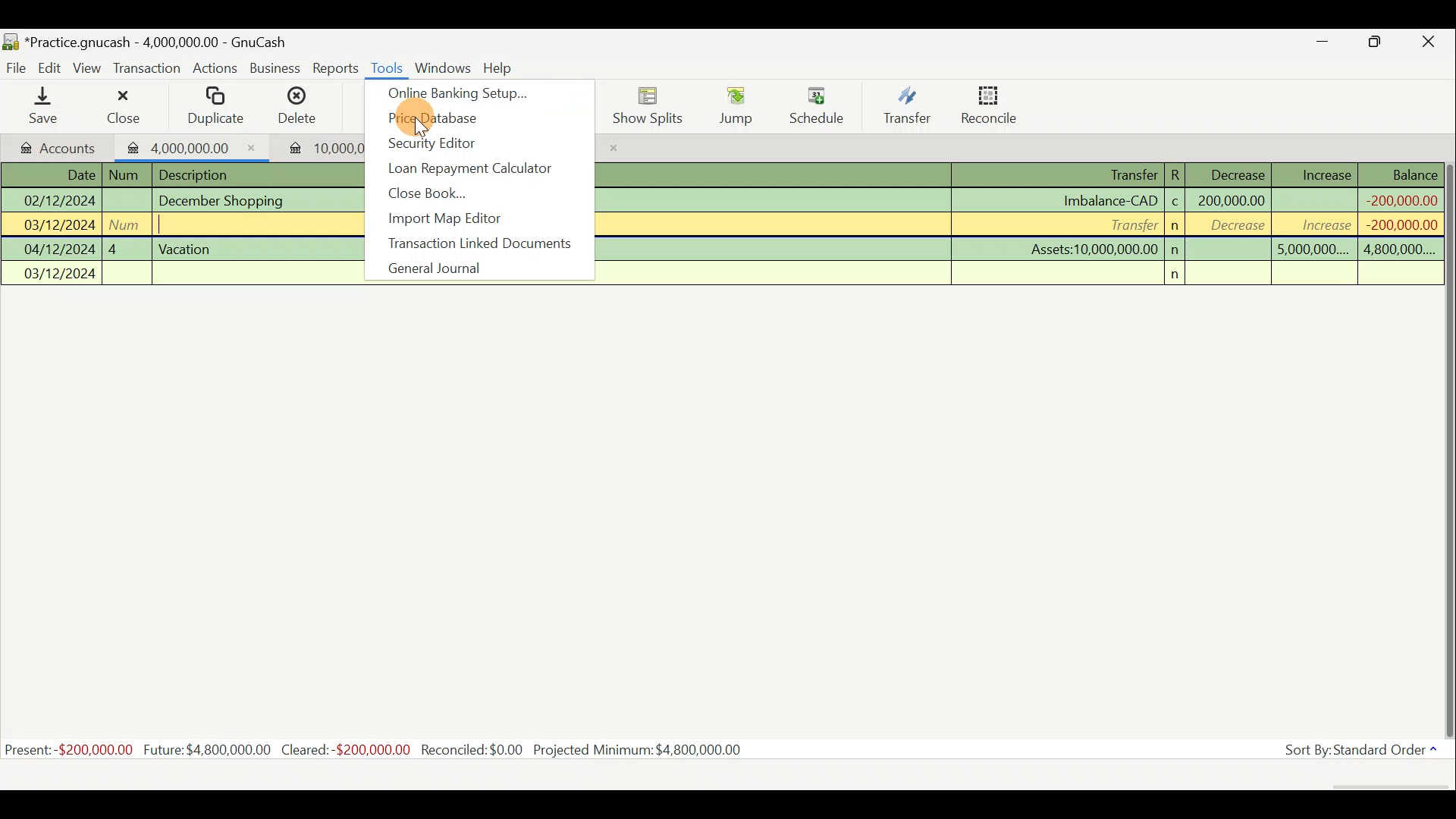  I want to click on December Shopping, so click(228, 201).